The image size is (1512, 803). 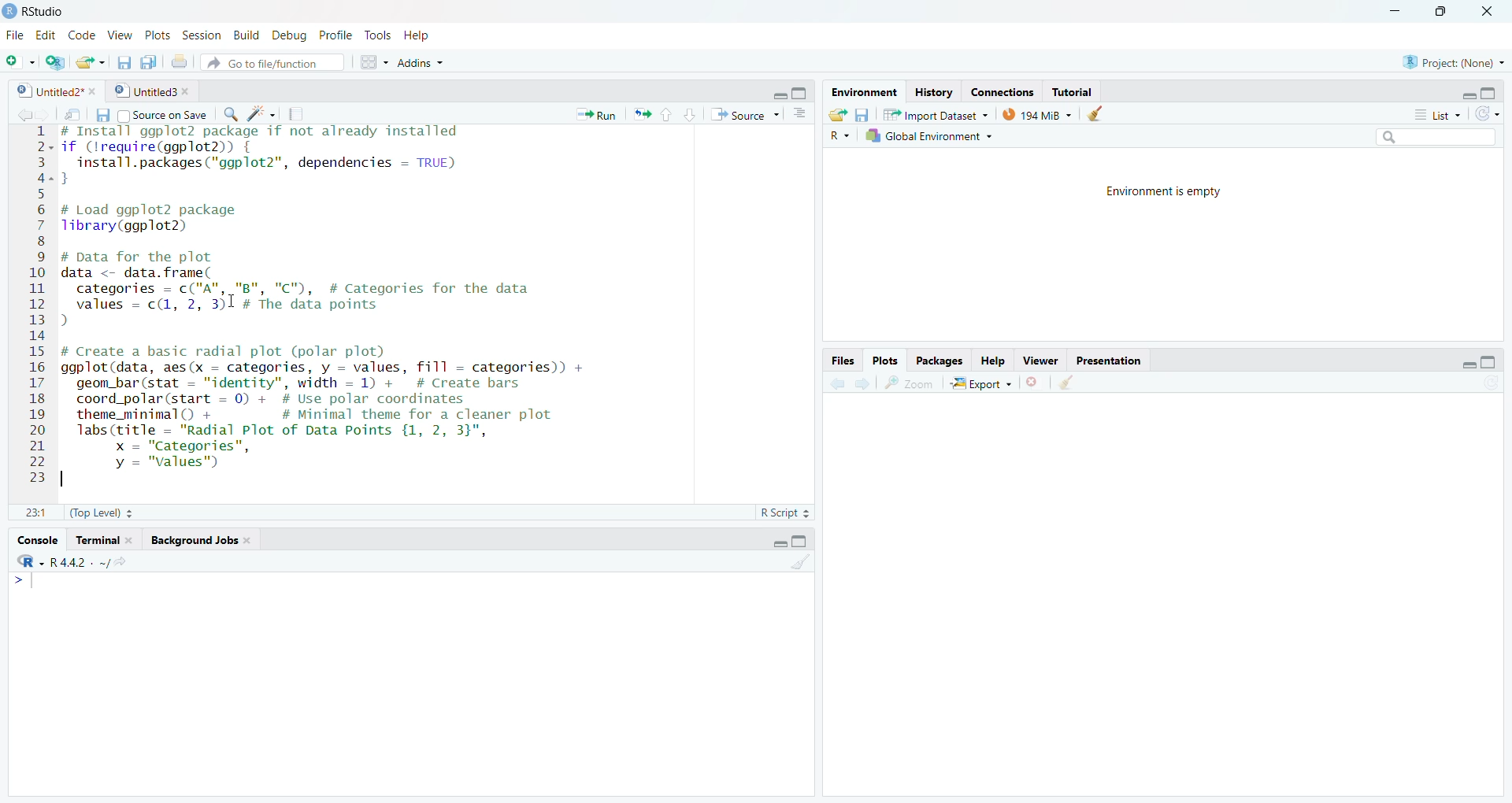 I want to click on  Addins , so click(x=422, y=61).